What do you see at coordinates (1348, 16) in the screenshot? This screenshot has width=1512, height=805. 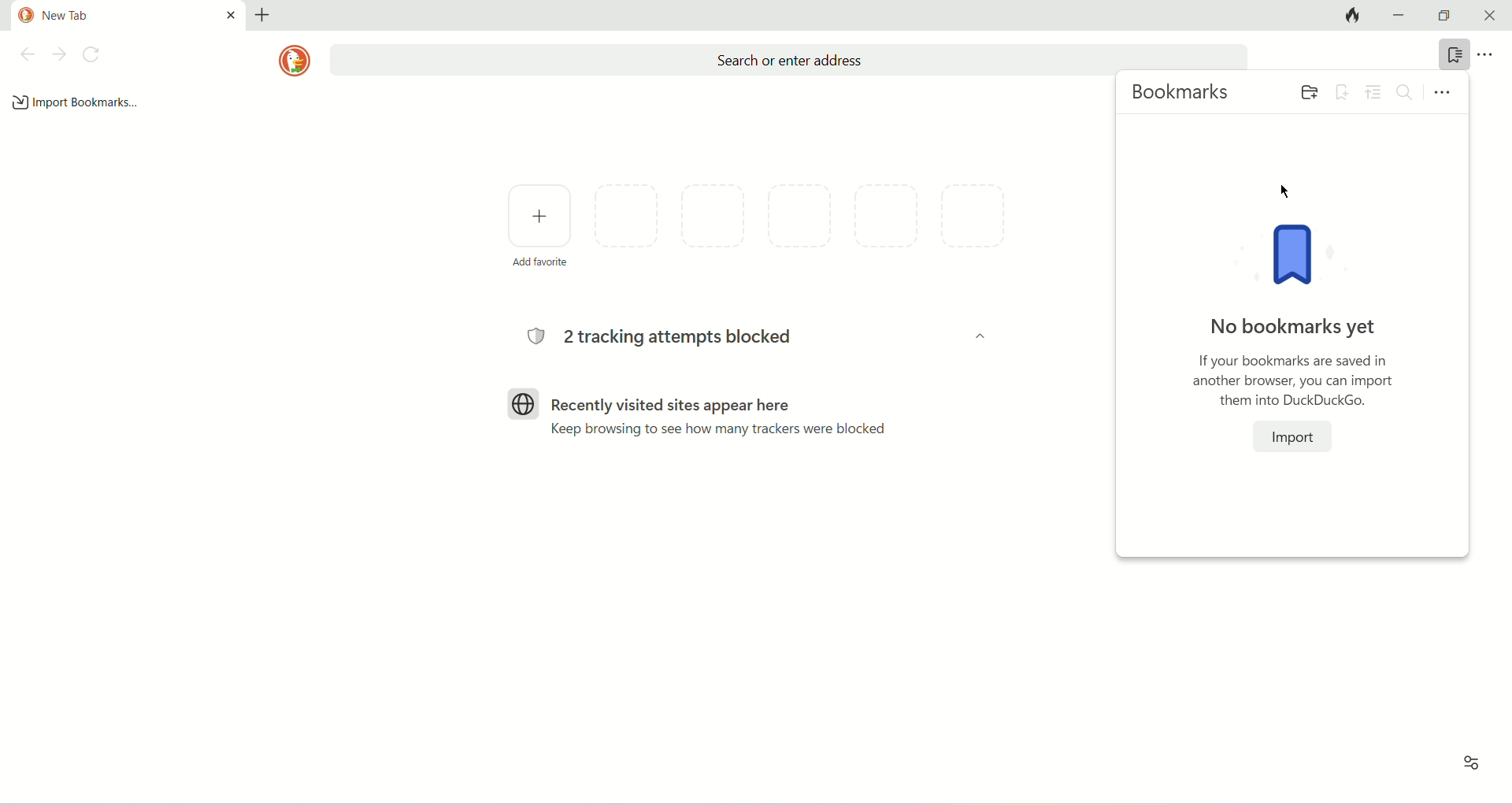 I see `close tabs and clear data` at bounding box center [1348, 16].